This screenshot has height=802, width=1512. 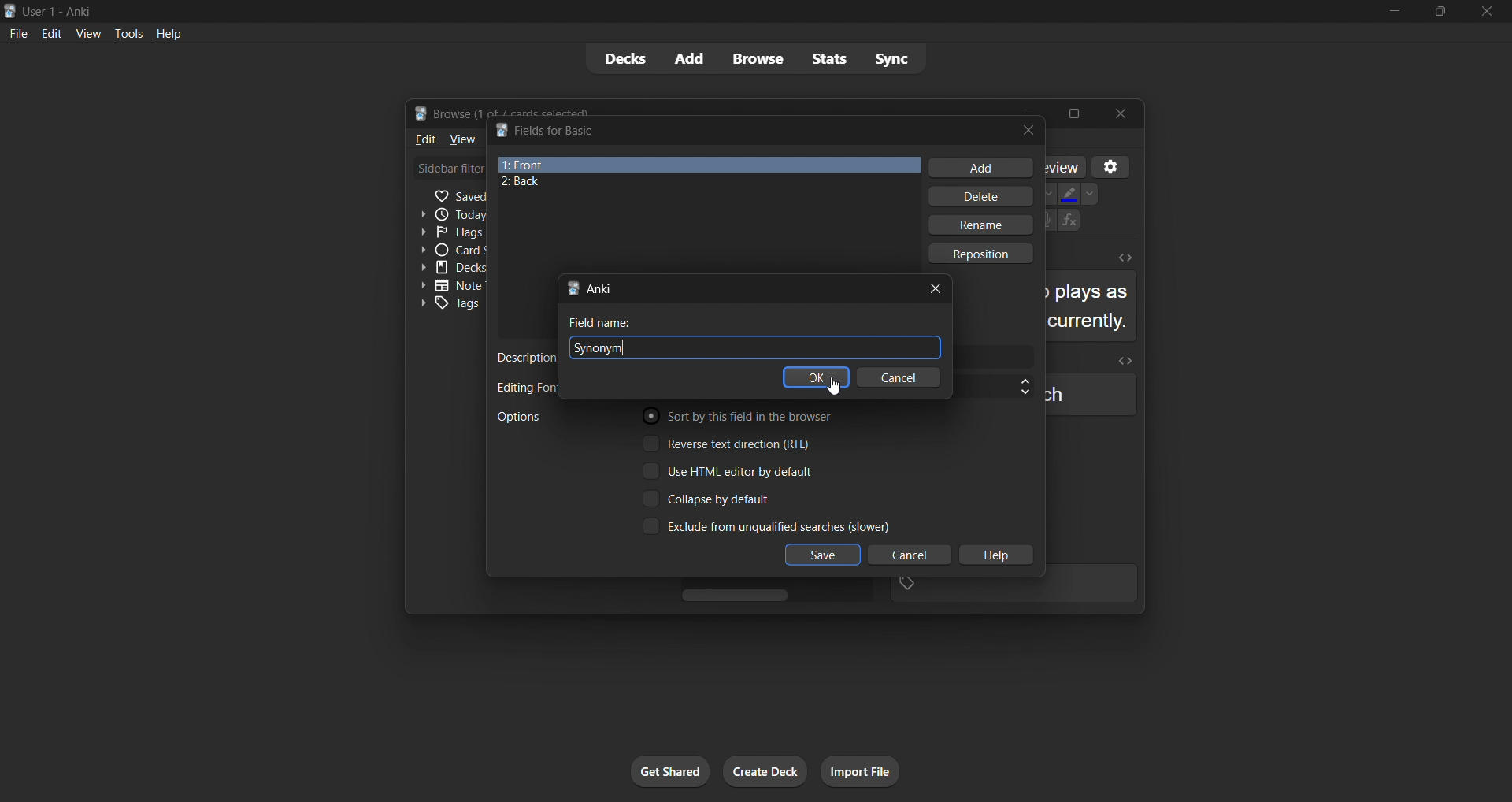 I want to click on close, so click(x=1026, y=130).